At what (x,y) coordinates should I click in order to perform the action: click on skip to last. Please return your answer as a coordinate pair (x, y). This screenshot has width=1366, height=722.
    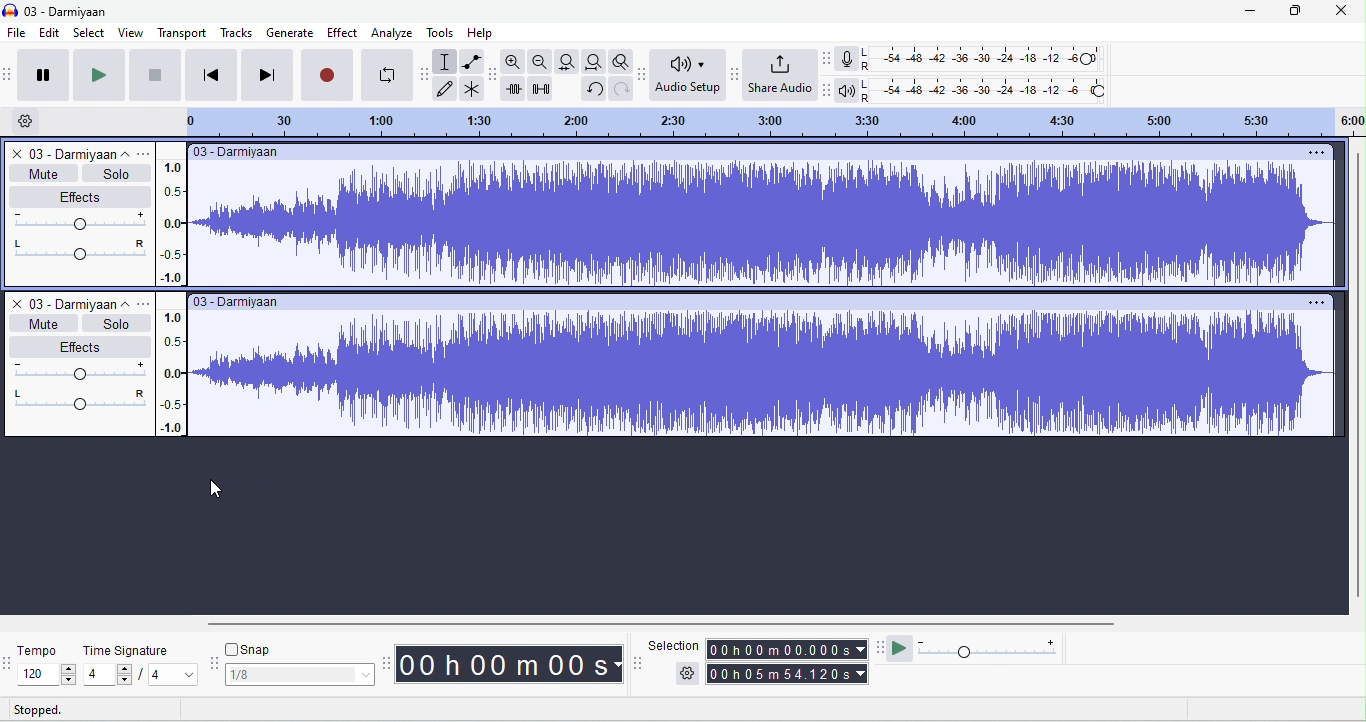
    Looking at the image, I should click on (266, 75).